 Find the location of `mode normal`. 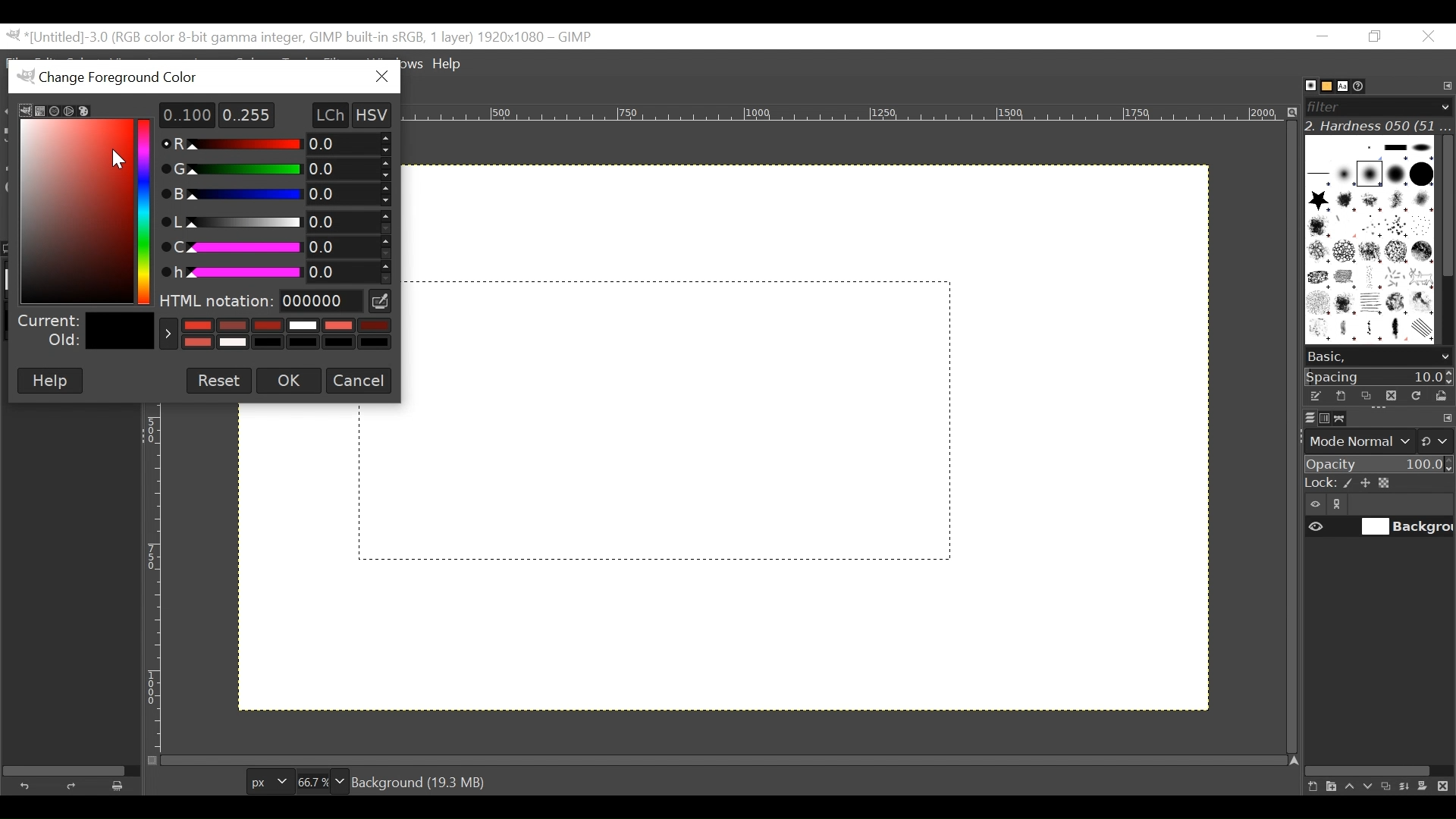

mode normal is located at coordinates (1377, 440).